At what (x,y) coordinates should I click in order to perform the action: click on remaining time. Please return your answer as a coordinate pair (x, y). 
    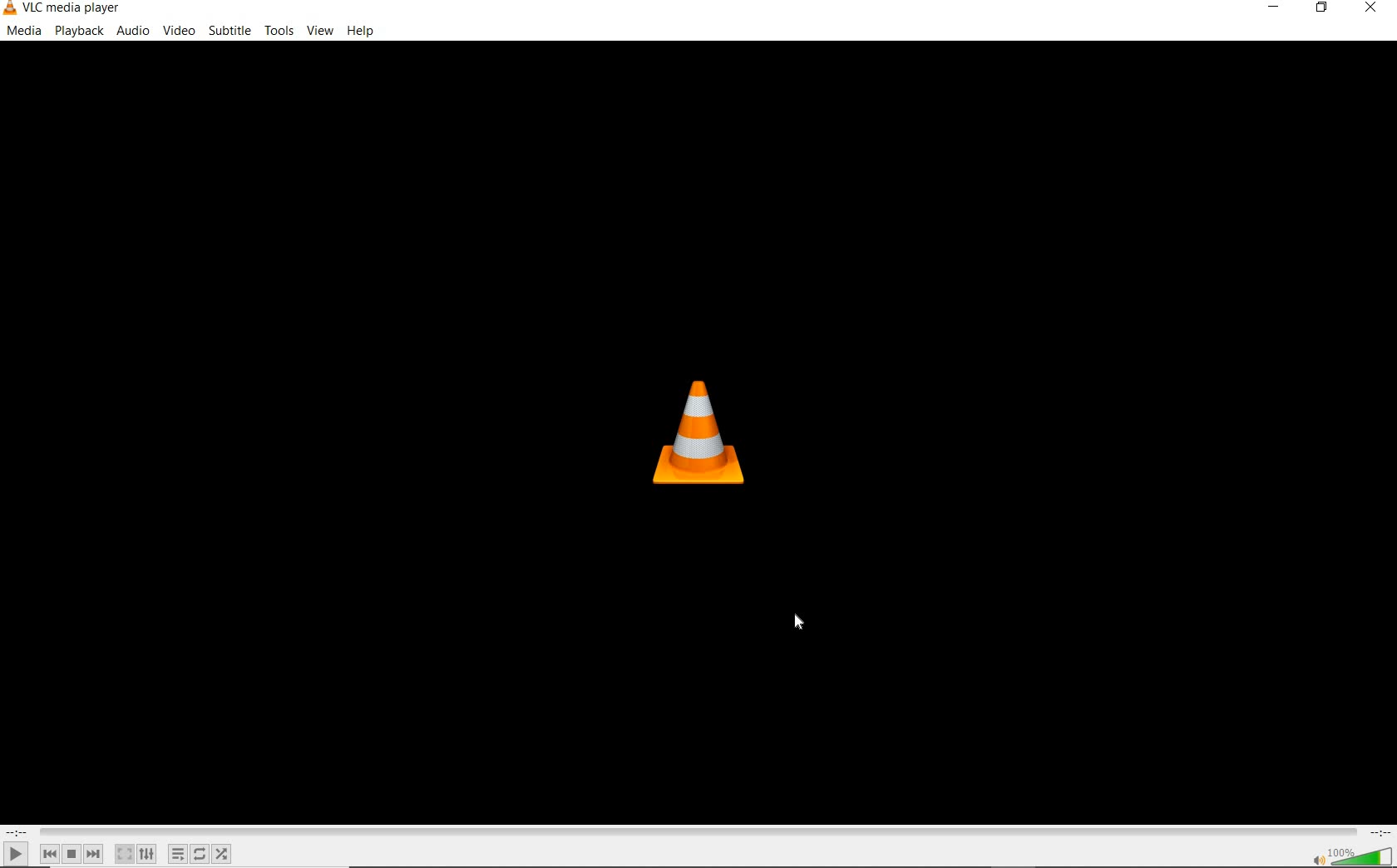
    Looking at the image, I should click on (1379, 832).